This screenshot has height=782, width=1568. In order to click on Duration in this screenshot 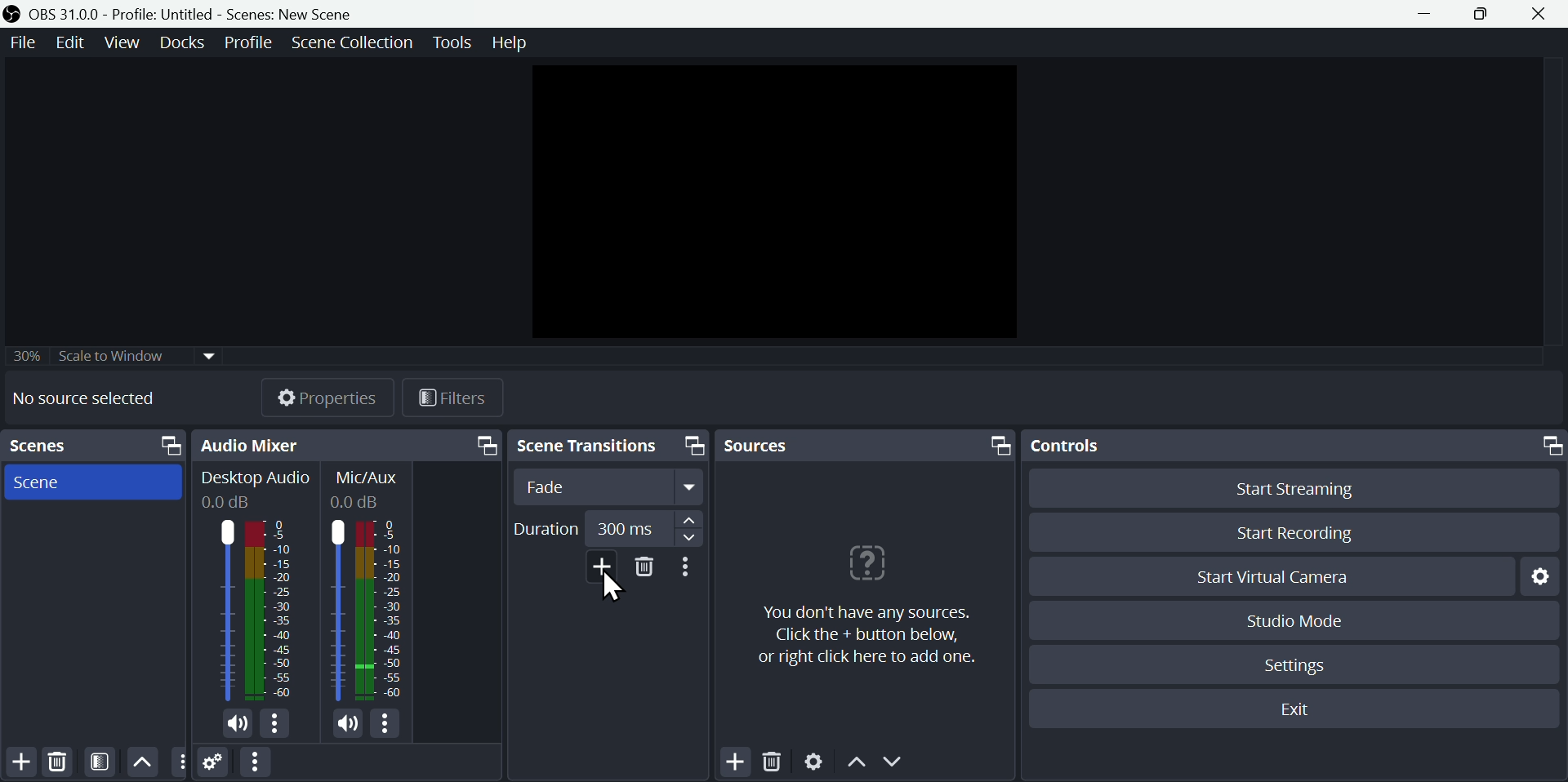, I will do `click(547, 529)`.